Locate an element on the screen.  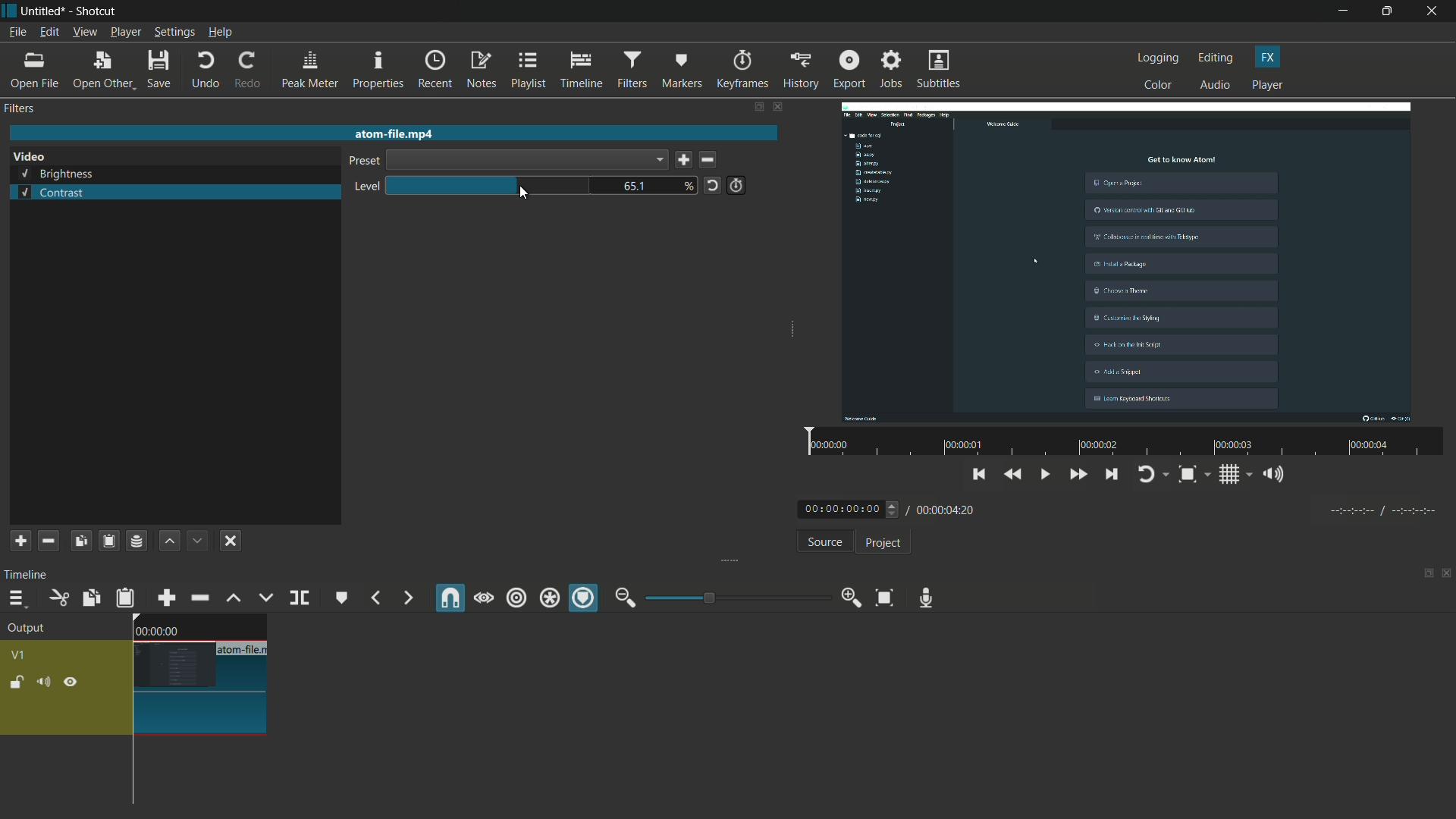
redo is located at coordinates (246, 70).